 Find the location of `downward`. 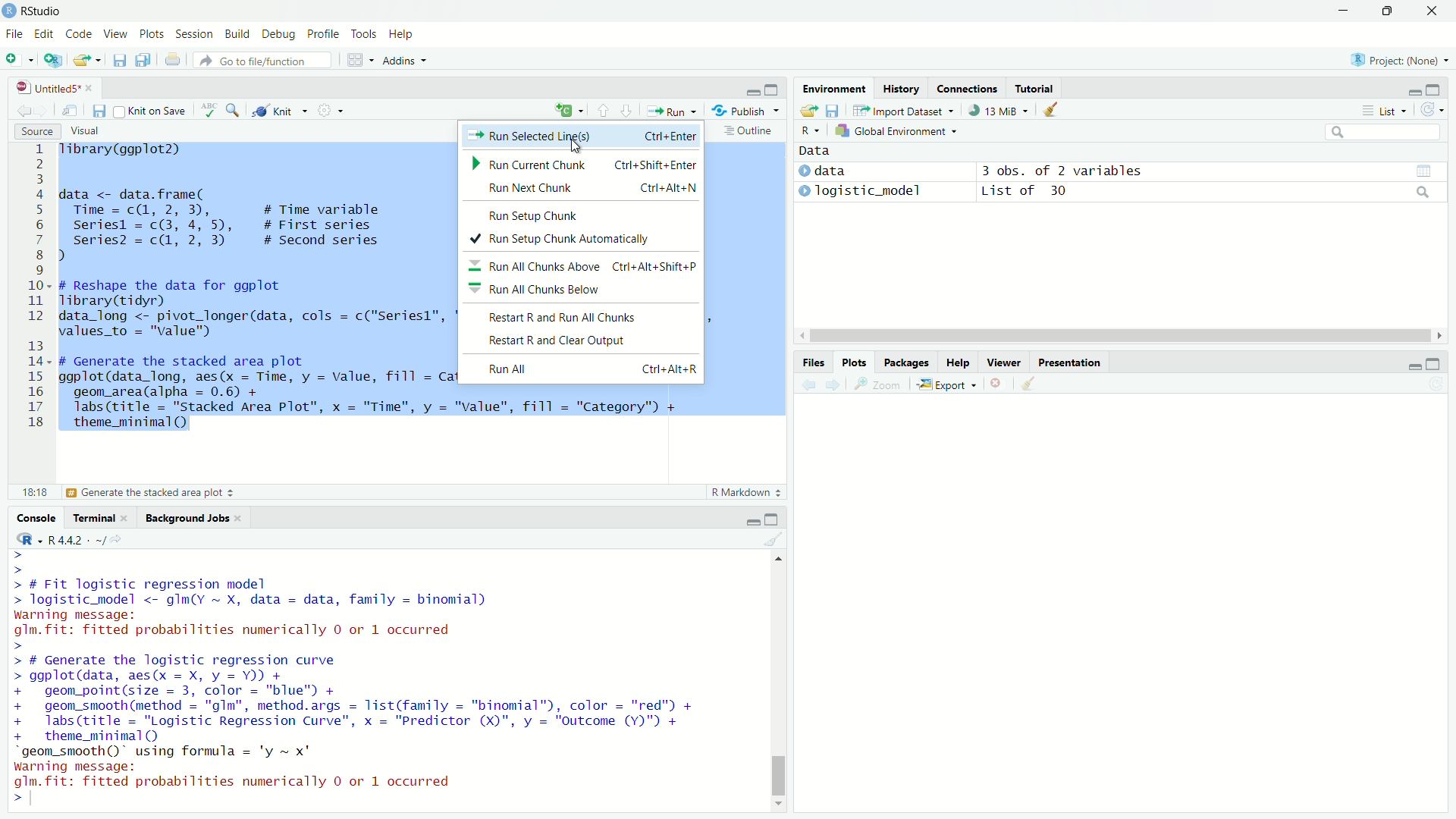

downward is located at coordinates (630, 113).